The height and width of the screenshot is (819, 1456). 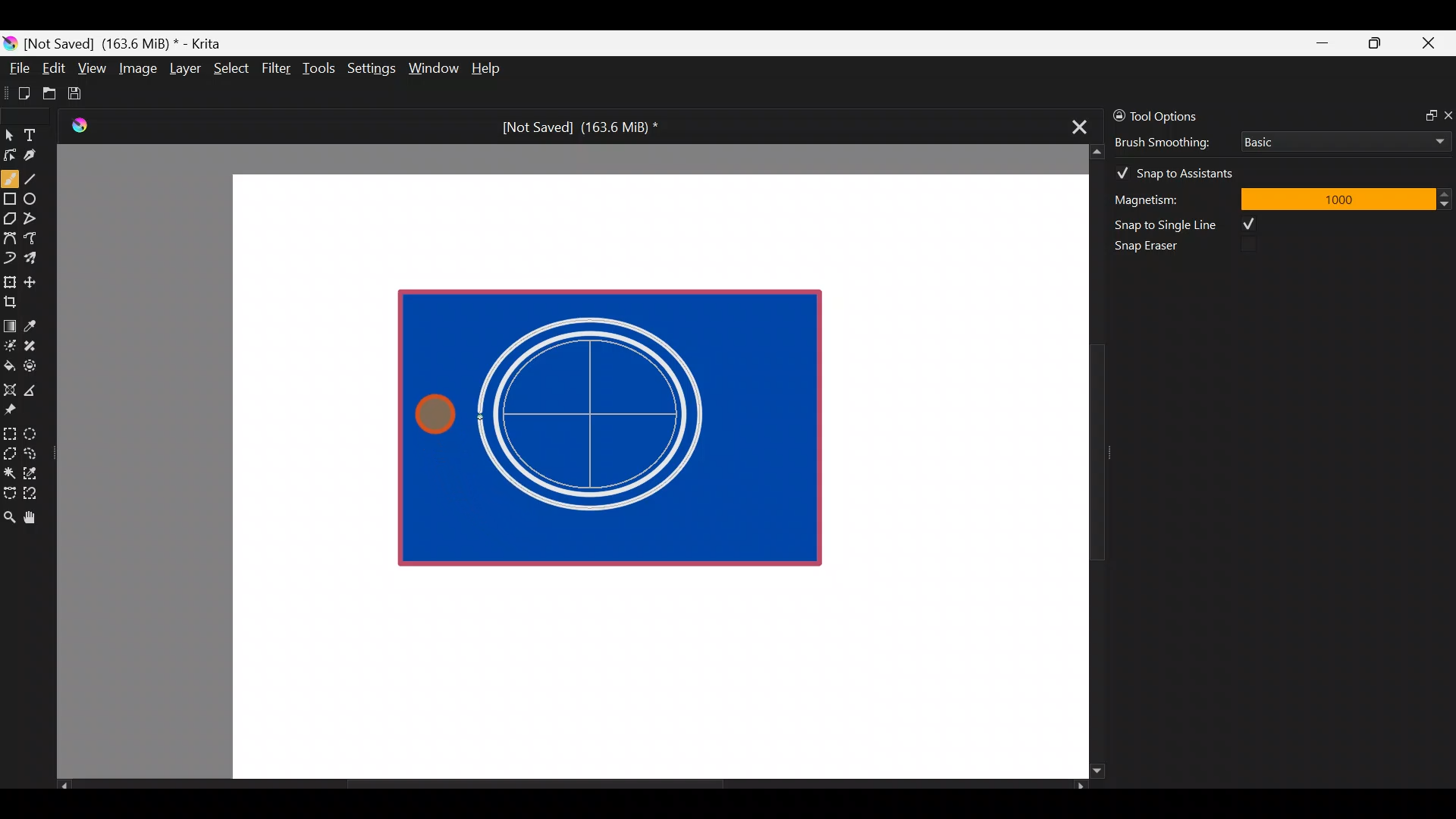 What do you see at coordinates (38, 240) in the screenshot?
I see `Freehand path tool` at bounding box center [38, 240].